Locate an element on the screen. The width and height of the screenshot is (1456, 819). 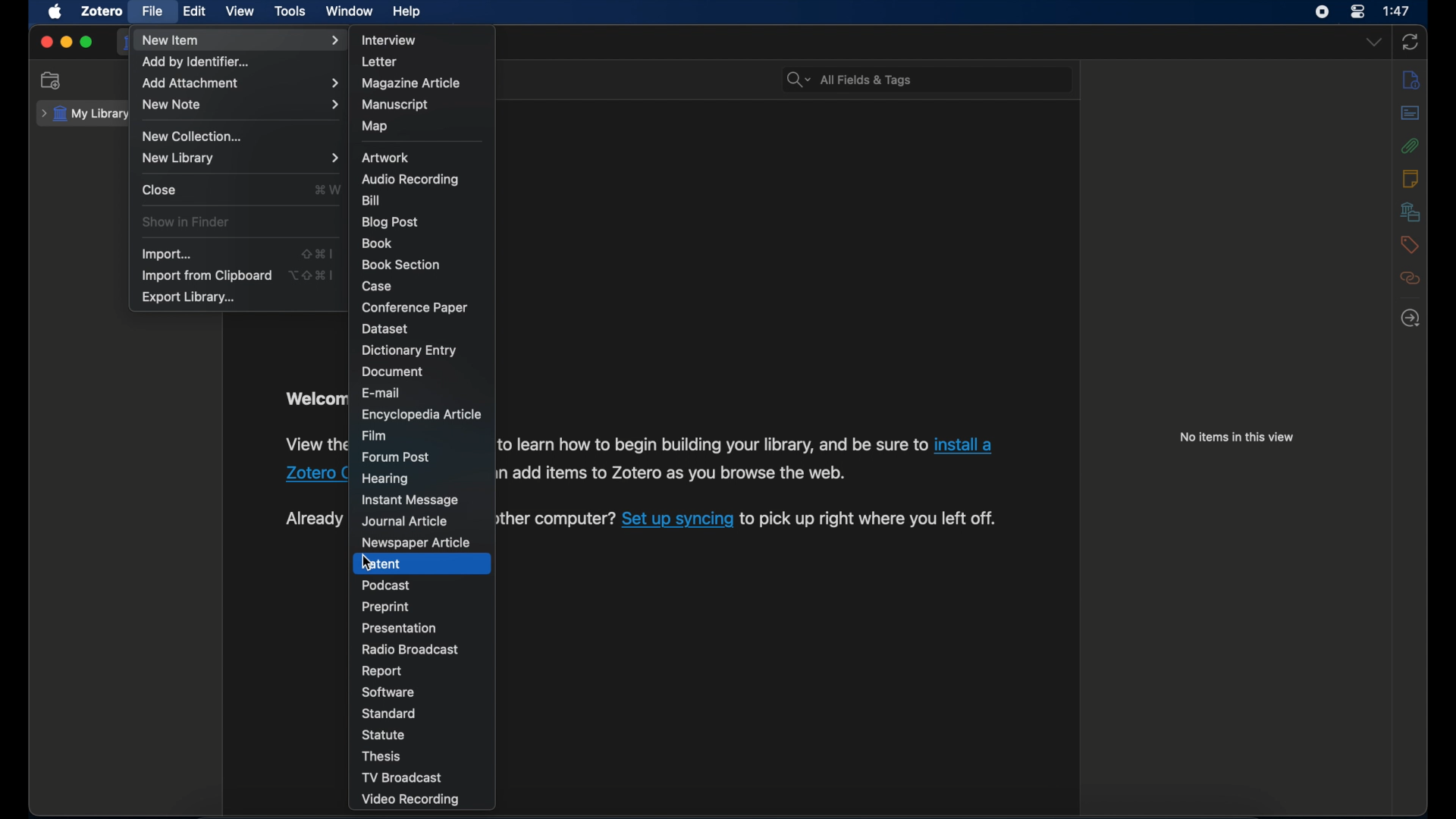
statue is located at coordinates (383, 734).